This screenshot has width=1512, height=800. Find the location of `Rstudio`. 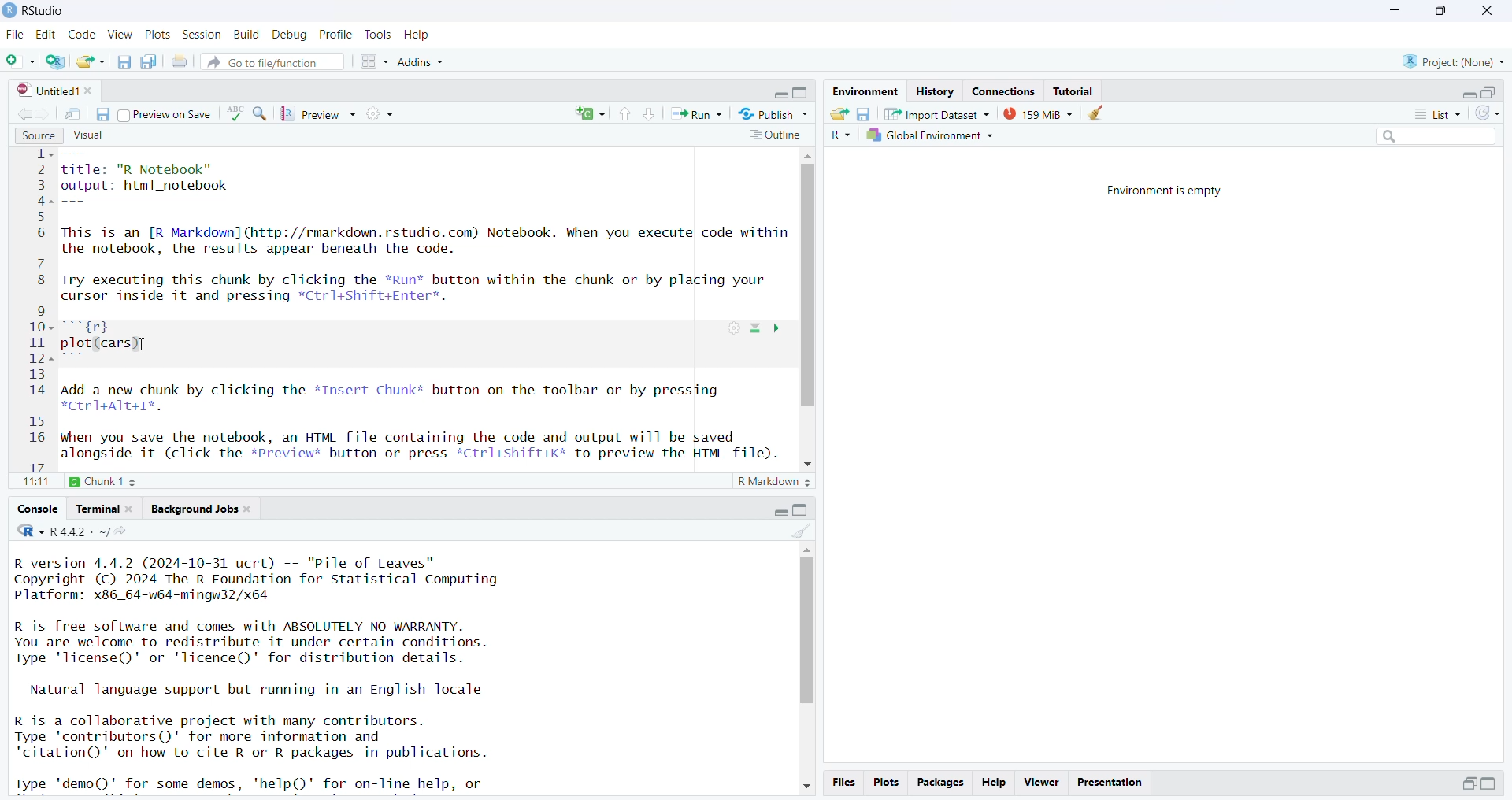

Rstudio is located at coordinates (35, 10).